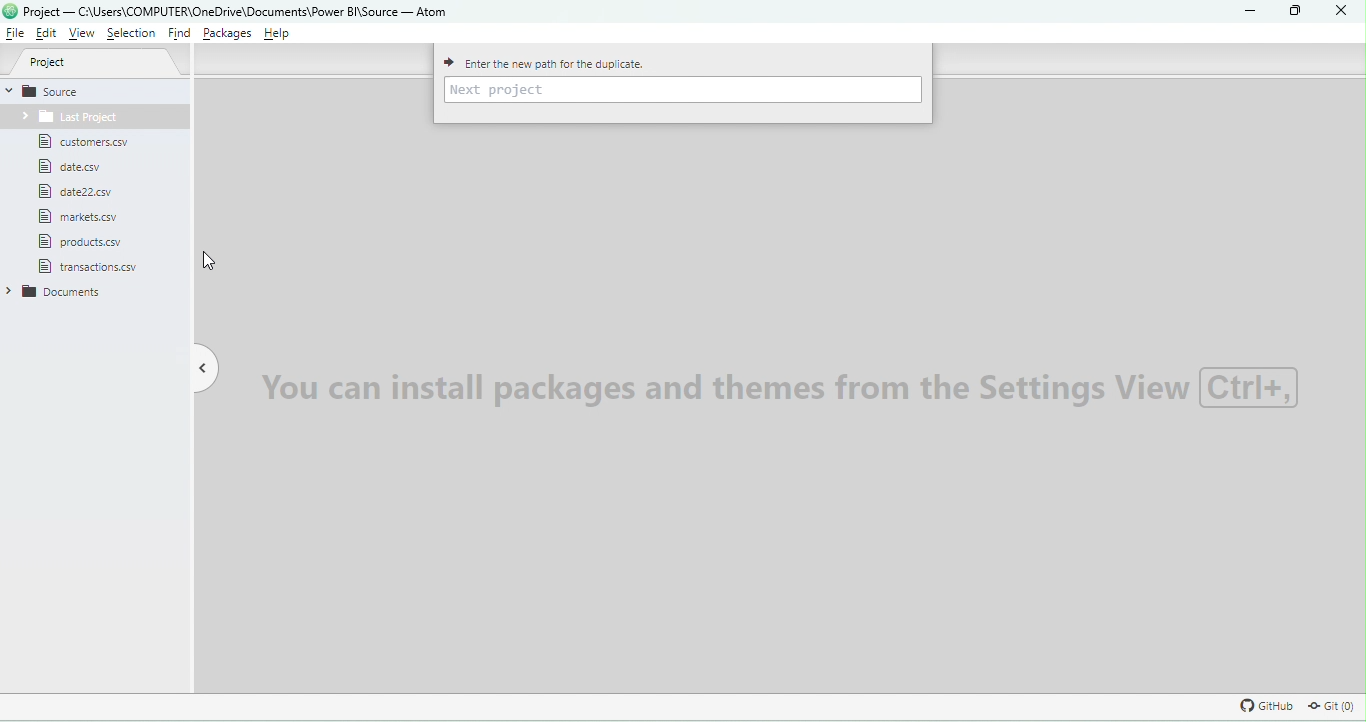 The width and height of the screenshot is (1366, 722). Describe the element at coordinates (684, 88) in the screenshot. I see `Enter path` at that location.